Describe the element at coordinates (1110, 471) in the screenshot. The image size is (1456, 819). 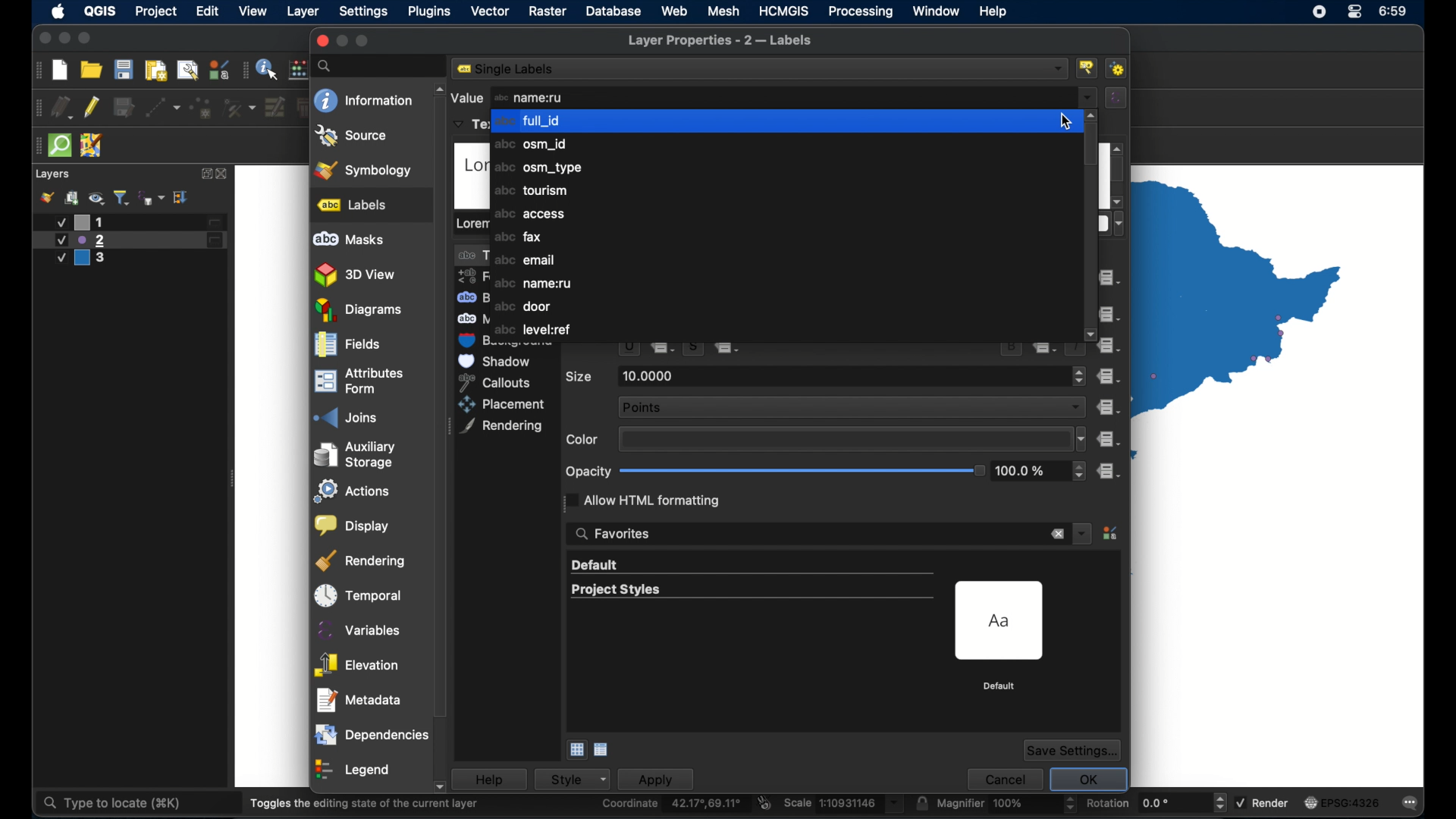
I see `data defined  override` at that location.